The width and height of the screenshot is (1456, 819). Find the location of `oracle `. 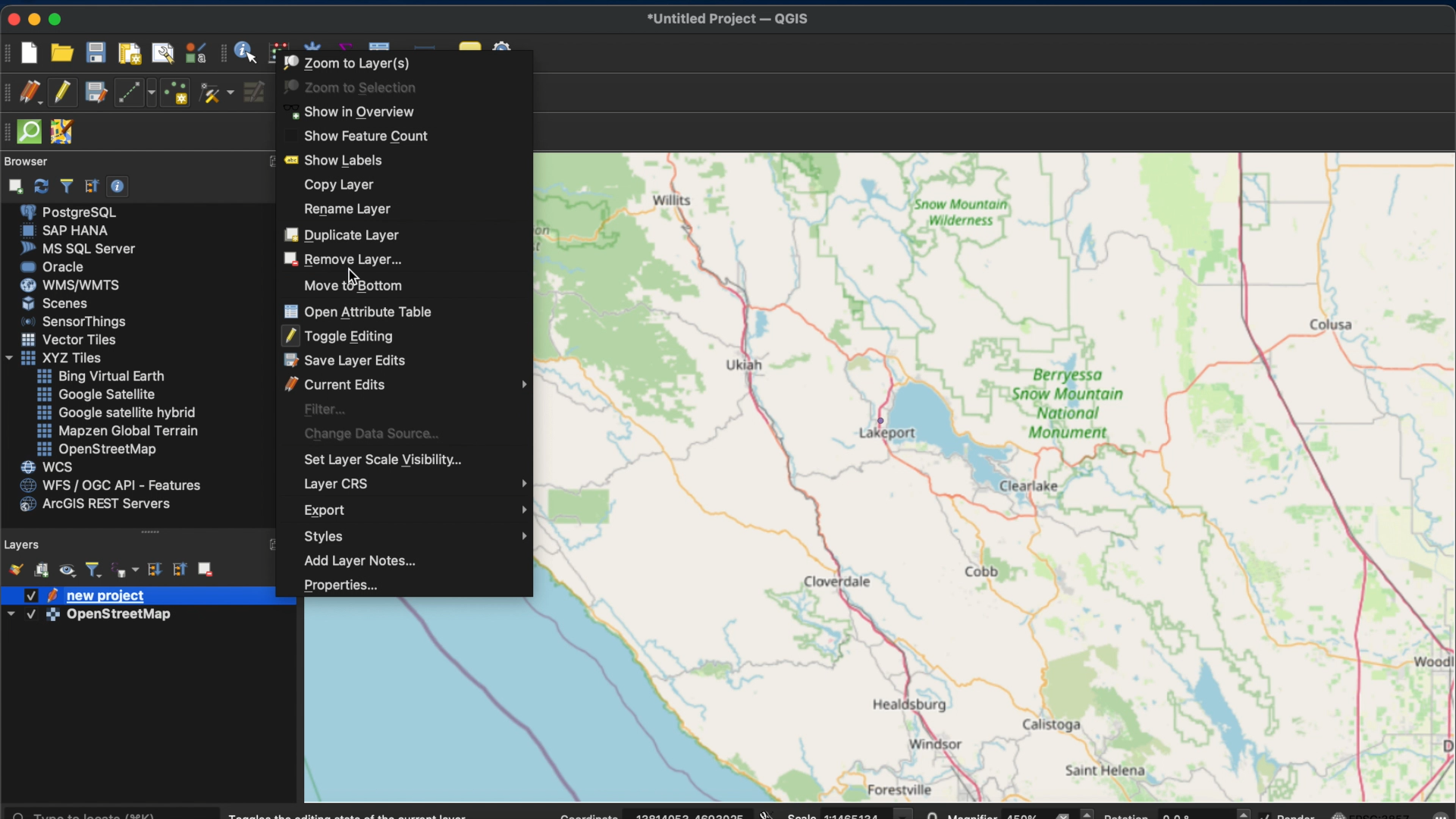

oracle  is located at coordinates (52, 266).